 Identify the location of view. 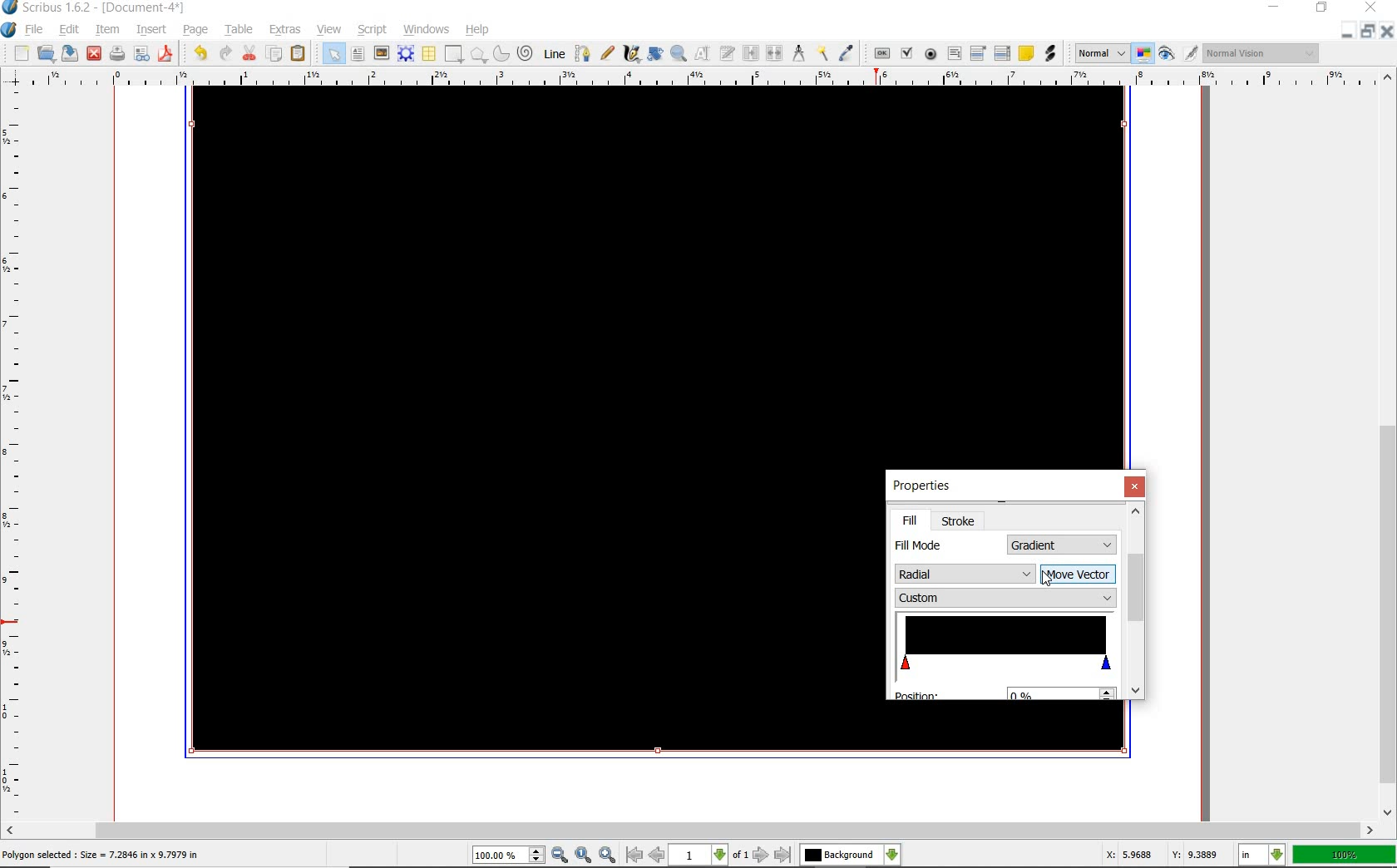
(329, 30).